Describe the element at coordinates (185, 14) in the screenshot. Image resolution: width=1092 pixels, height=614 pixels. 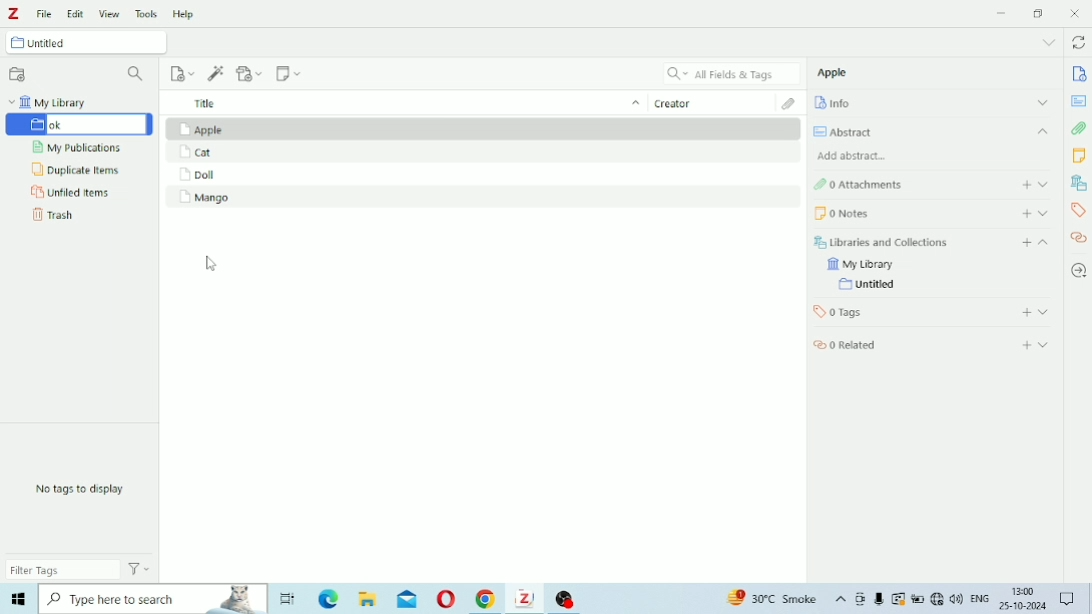
I see `Help` at that location.